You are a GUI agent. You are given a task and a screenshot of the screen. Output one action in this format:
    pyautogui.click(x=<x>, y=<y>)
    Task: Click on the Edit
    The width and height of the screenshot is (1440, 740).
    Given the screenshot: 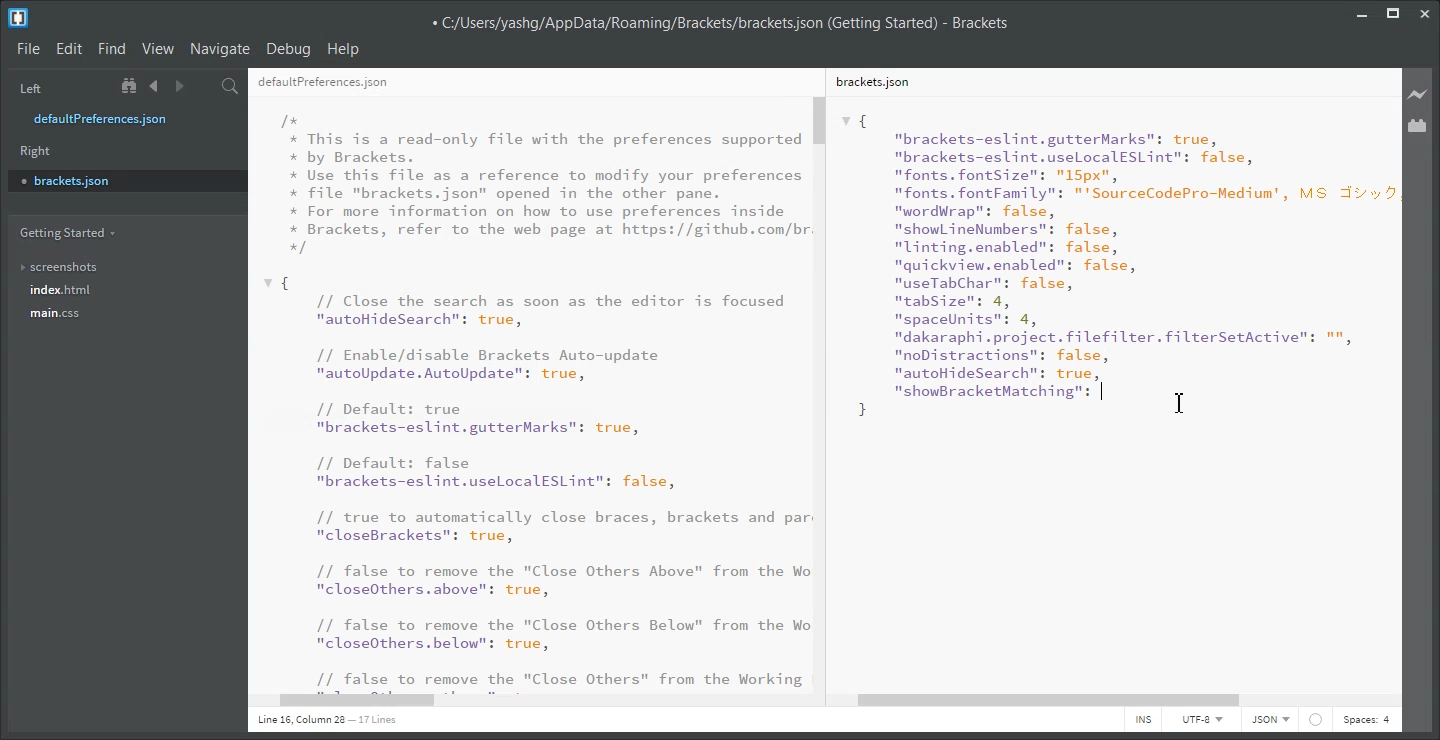 What is the action you would take?
    pyautogui.click(x=69, y=49)
    